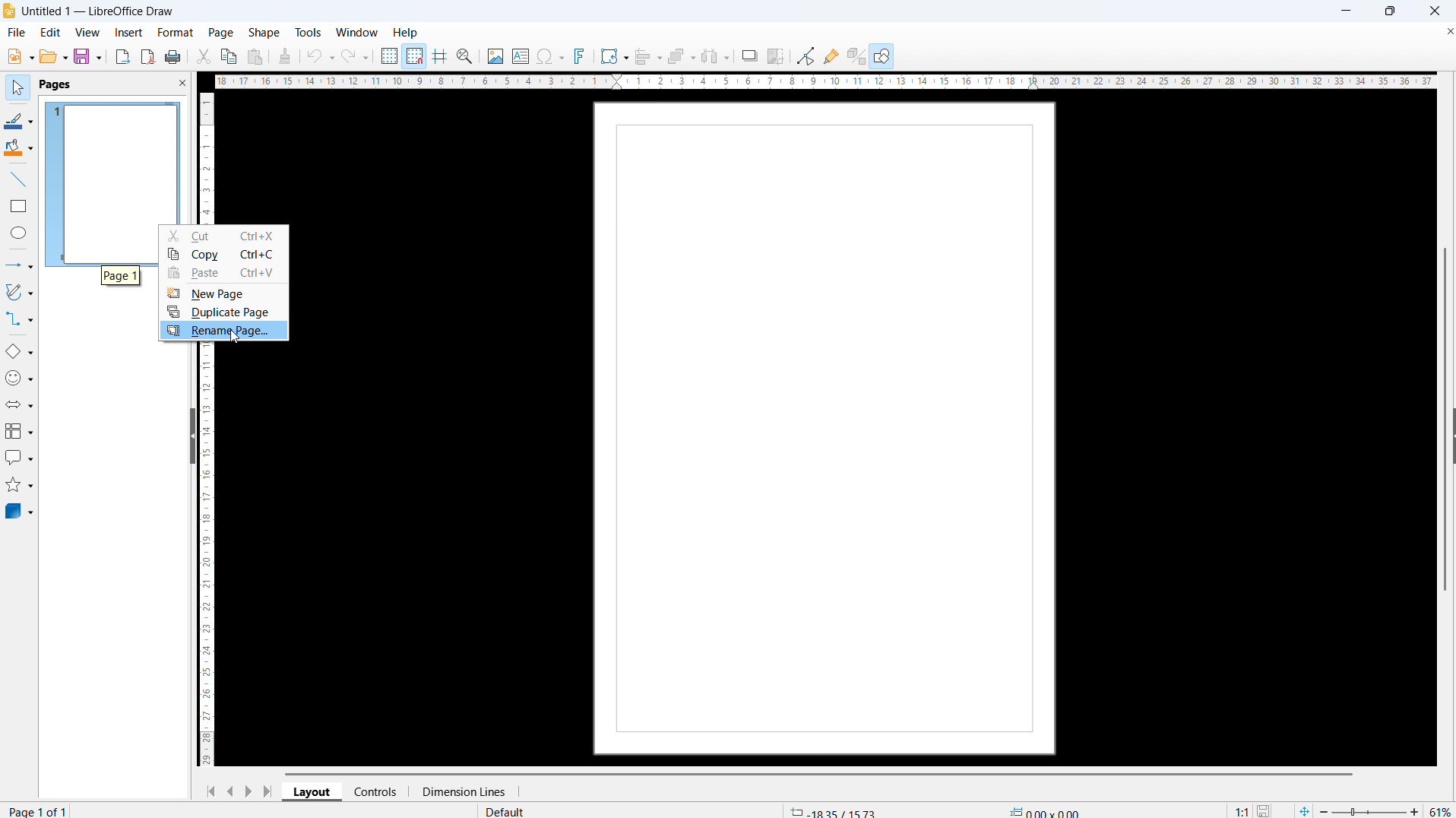 This screenshot has width=1456, height=818. What do you see at coordinates (9, 11) in the screenshot?
I see `logo` at bounding box center [9, 11].